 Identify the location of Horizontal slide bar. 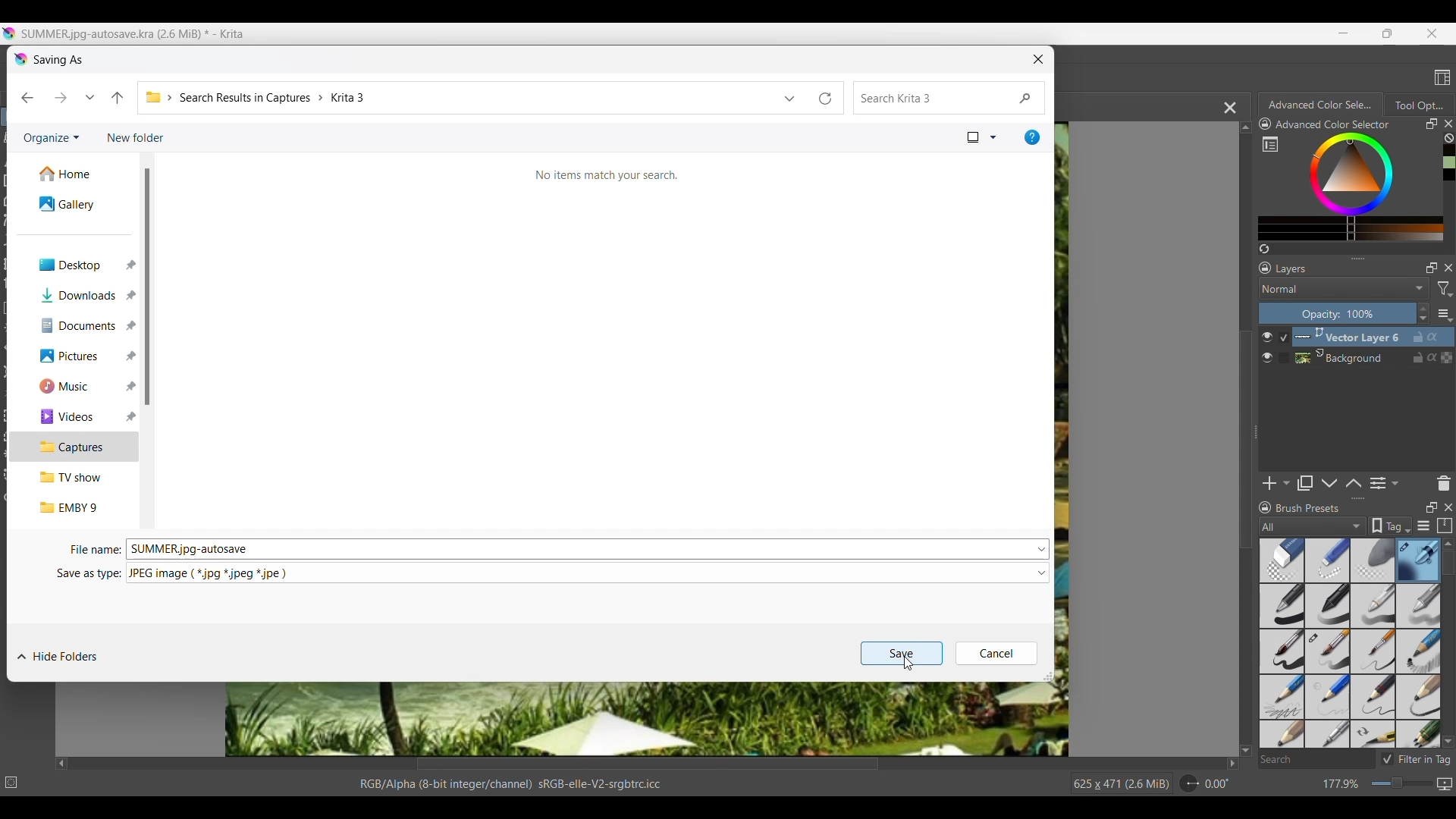
(648, 765).